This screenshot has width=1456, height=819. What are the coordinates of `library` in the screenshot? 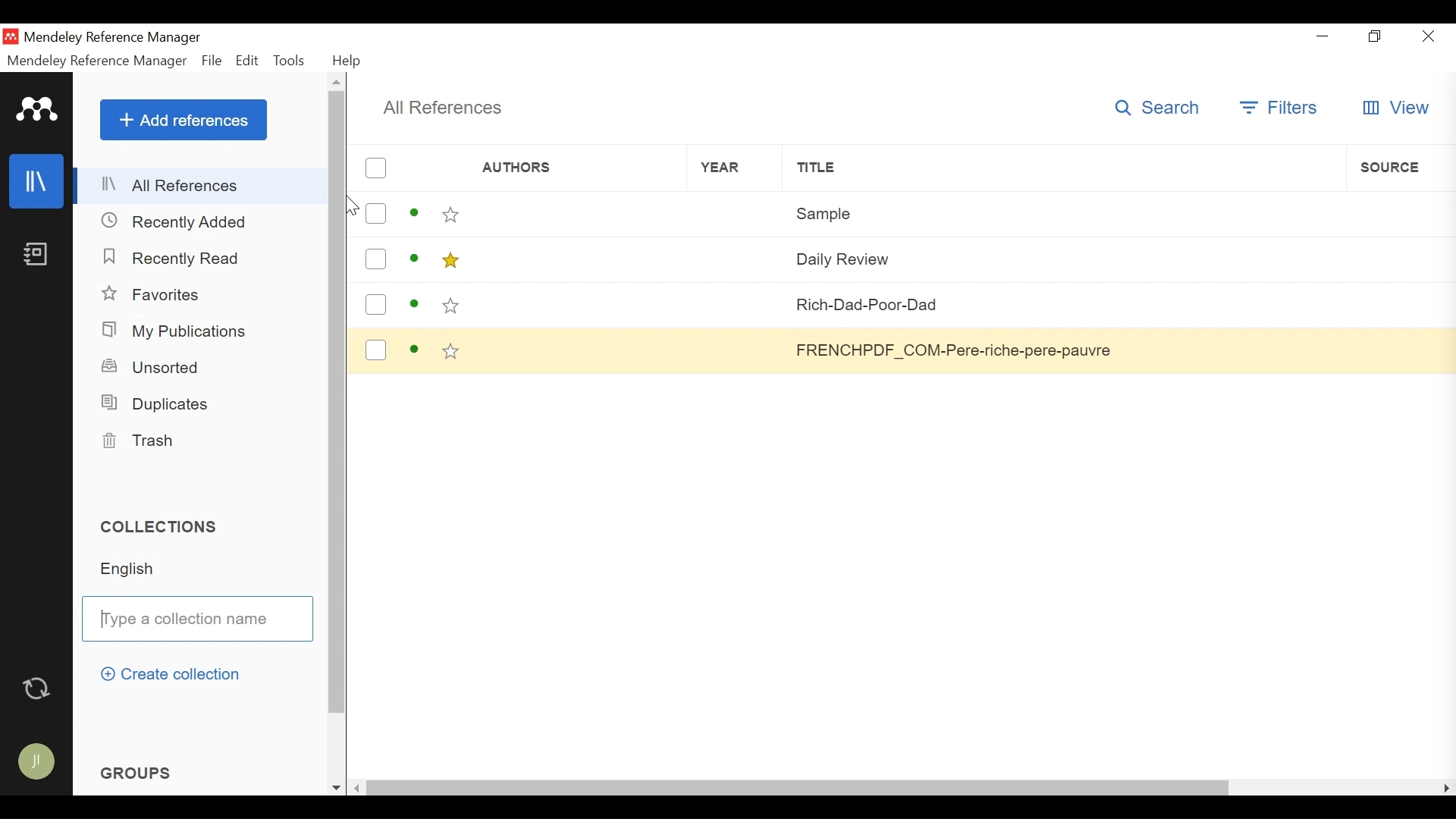 It's located at (37, 182).